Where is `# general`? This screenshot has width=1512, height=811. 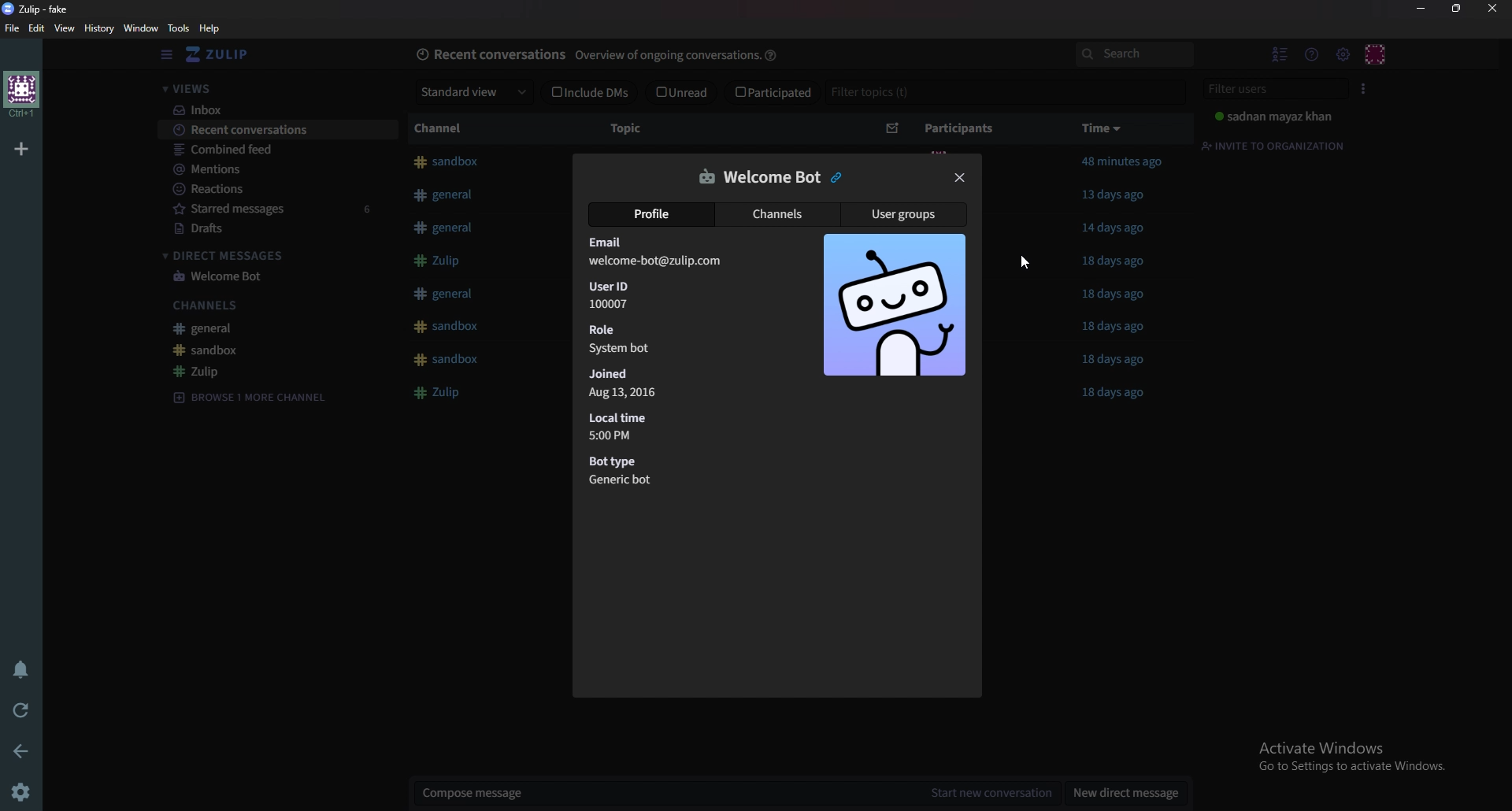 # general is located at coordinates (446, 227).